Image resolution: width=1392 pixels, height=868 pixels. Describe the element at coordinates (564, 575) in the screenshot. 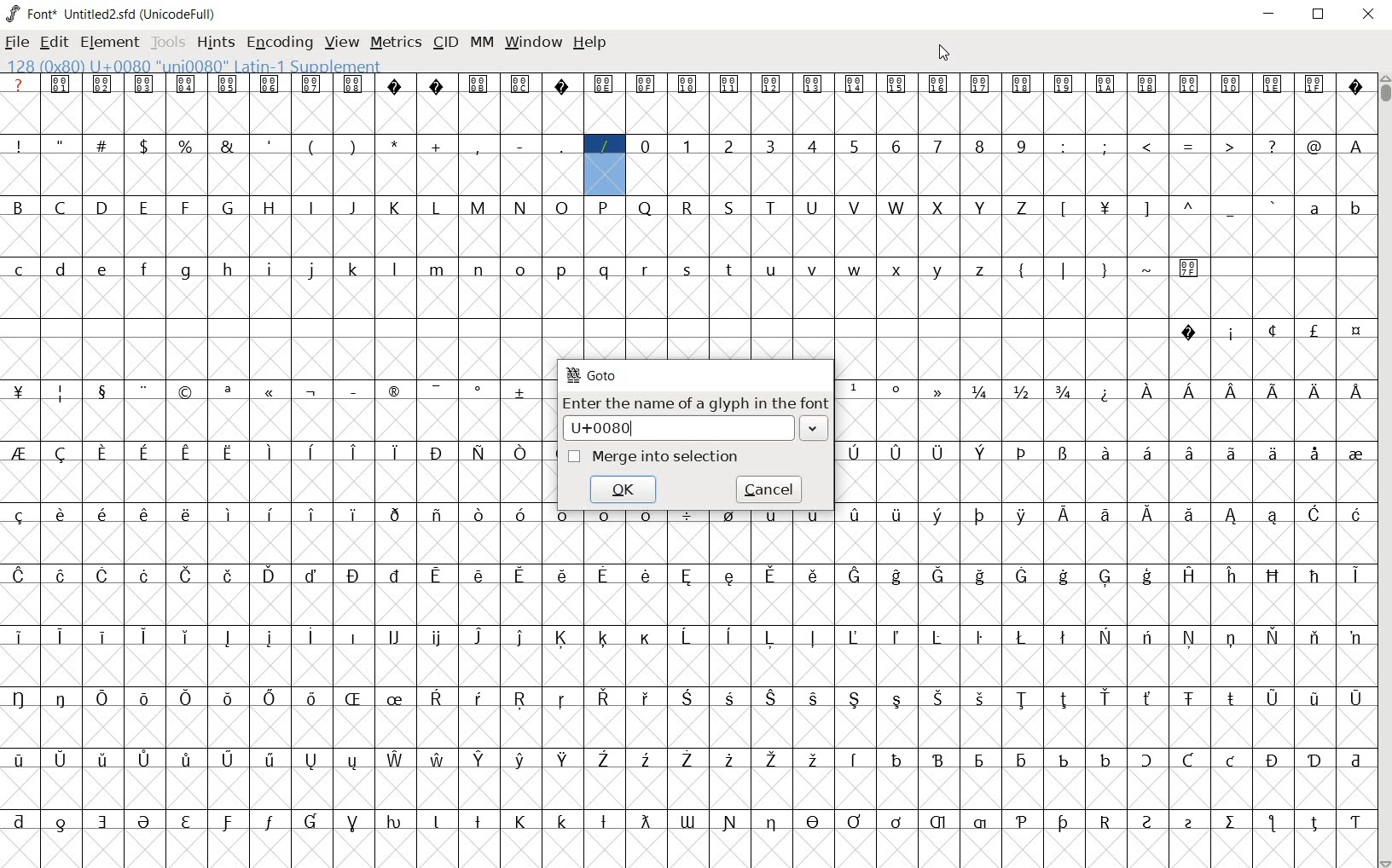

I see `glyph` at that location.